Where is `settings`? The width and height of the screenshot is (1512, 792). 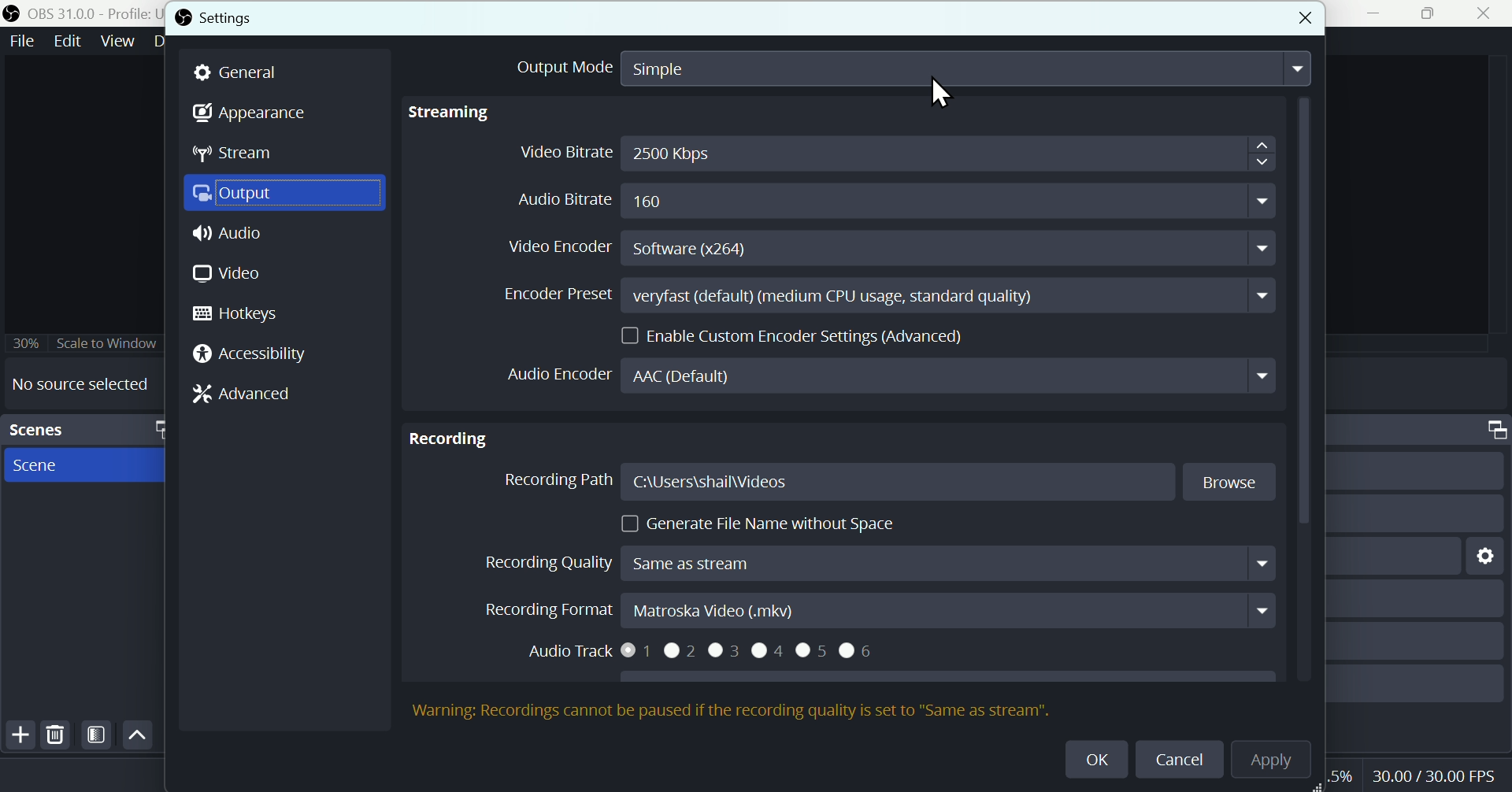
settings is located at coordinates (213, 20).